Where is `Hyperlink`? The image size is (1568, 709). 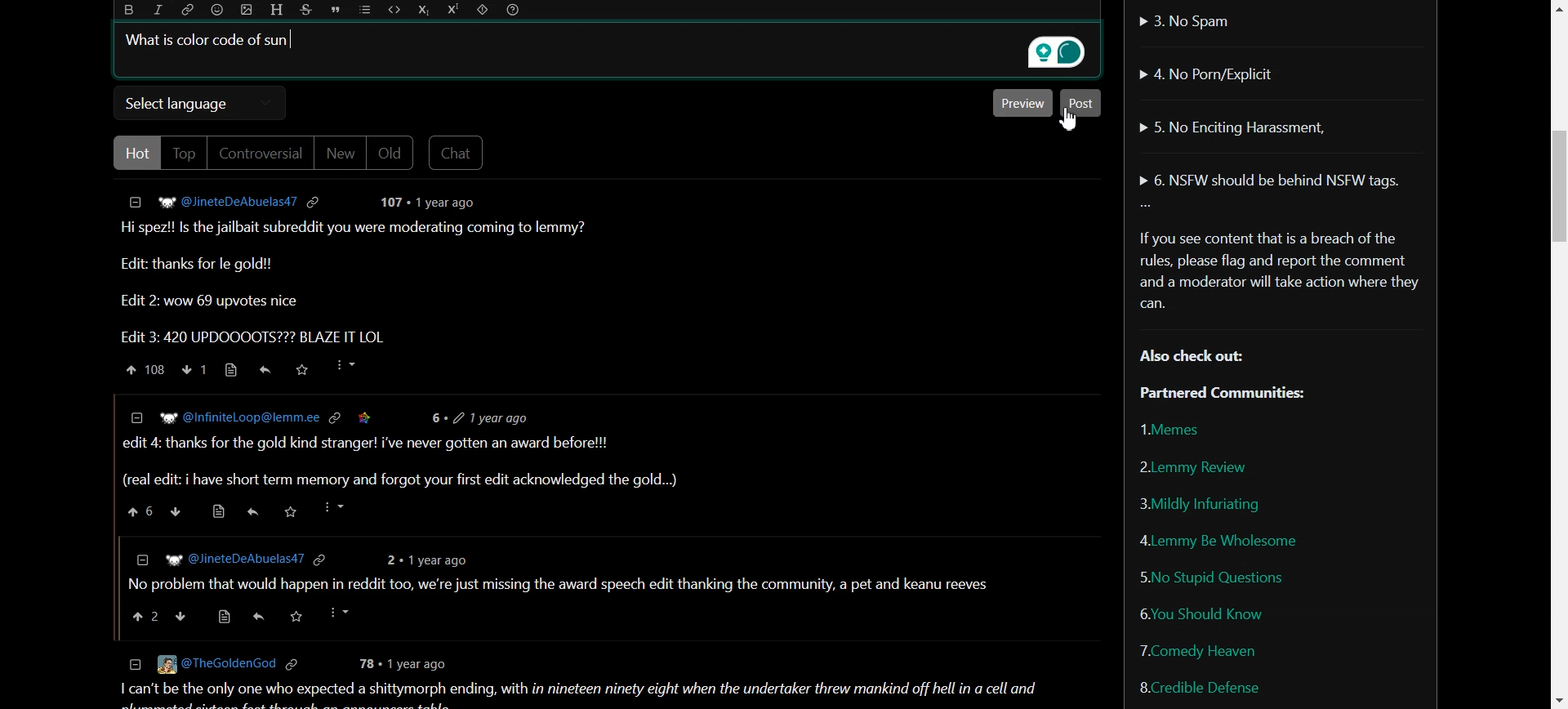
Hyperlink is located at coordinates (237, 202).